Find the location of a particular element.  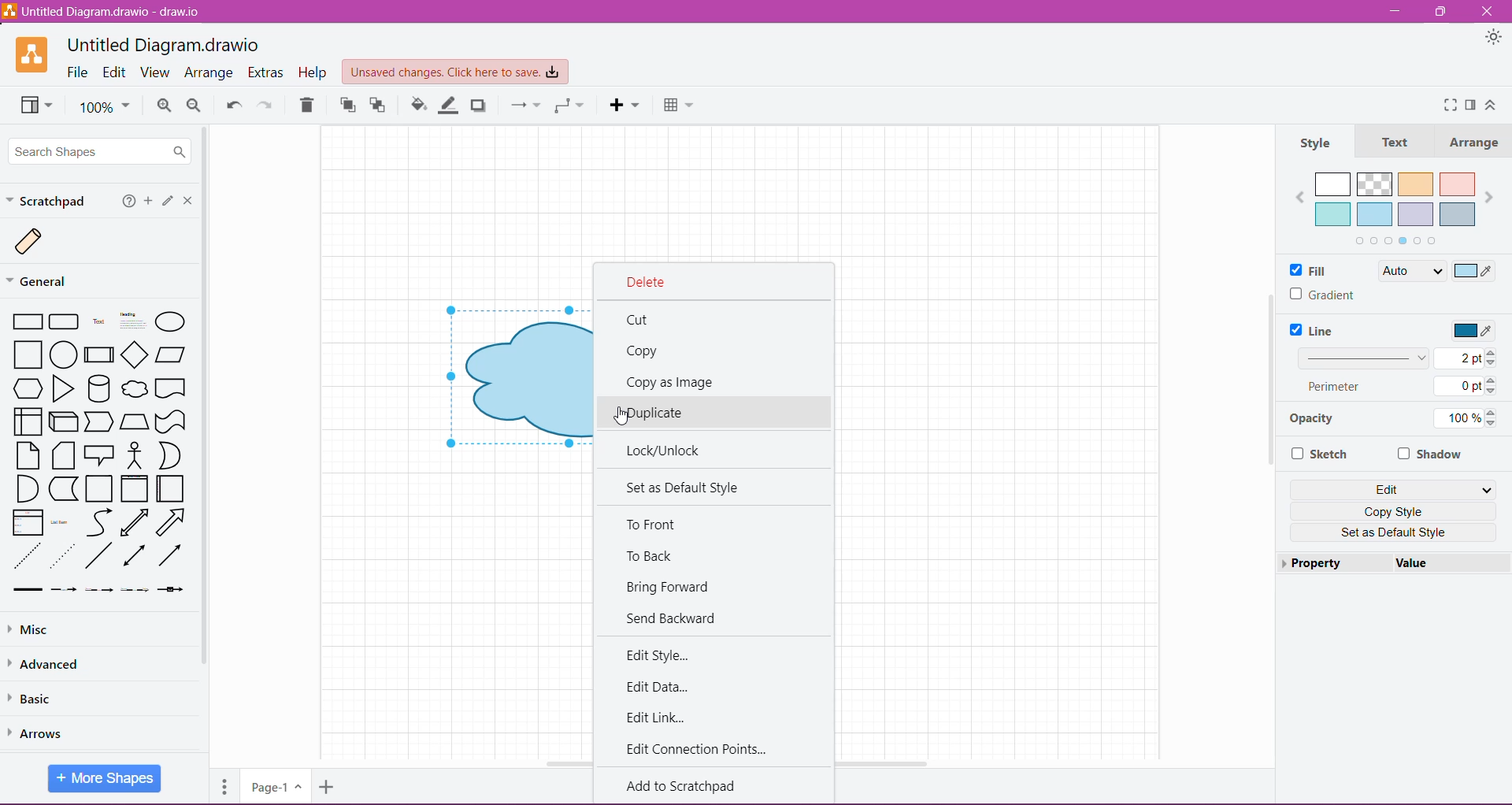

Help is located at coordinates (129, 202).